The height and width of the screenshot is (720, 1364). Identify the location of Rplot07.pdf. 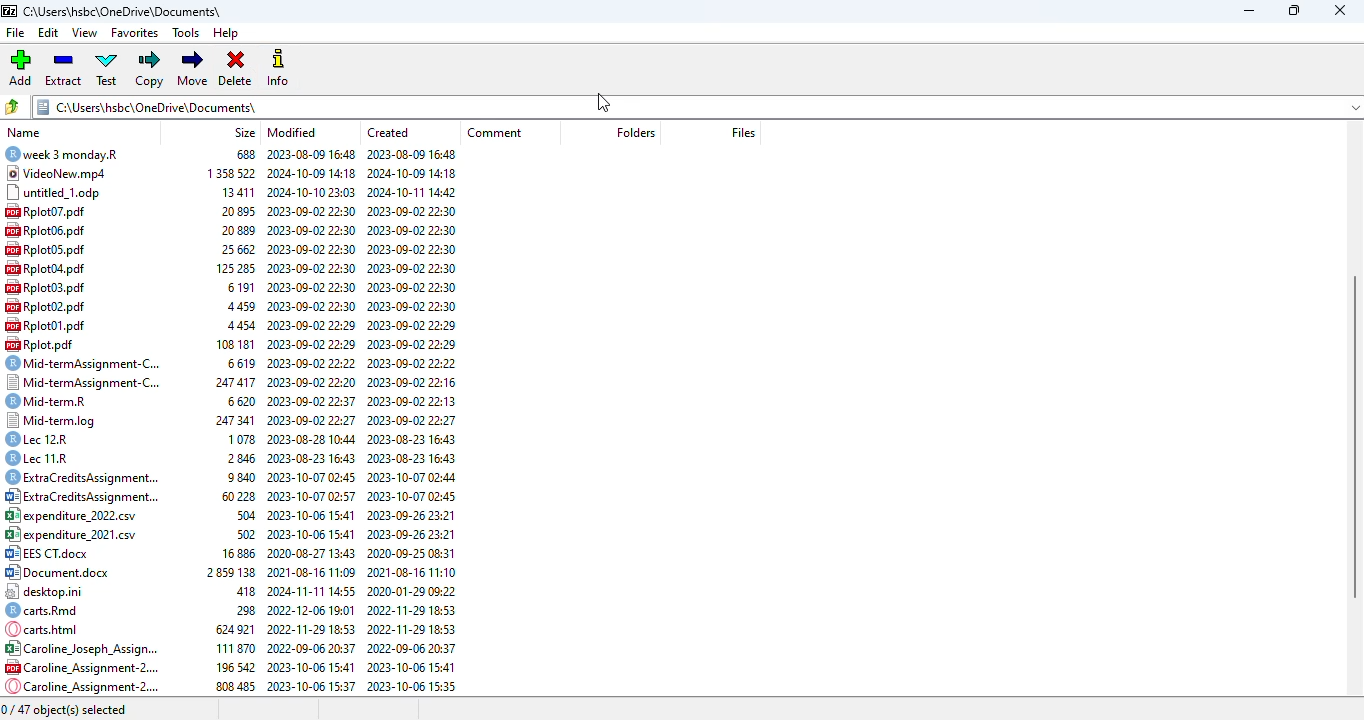
(54, 211).